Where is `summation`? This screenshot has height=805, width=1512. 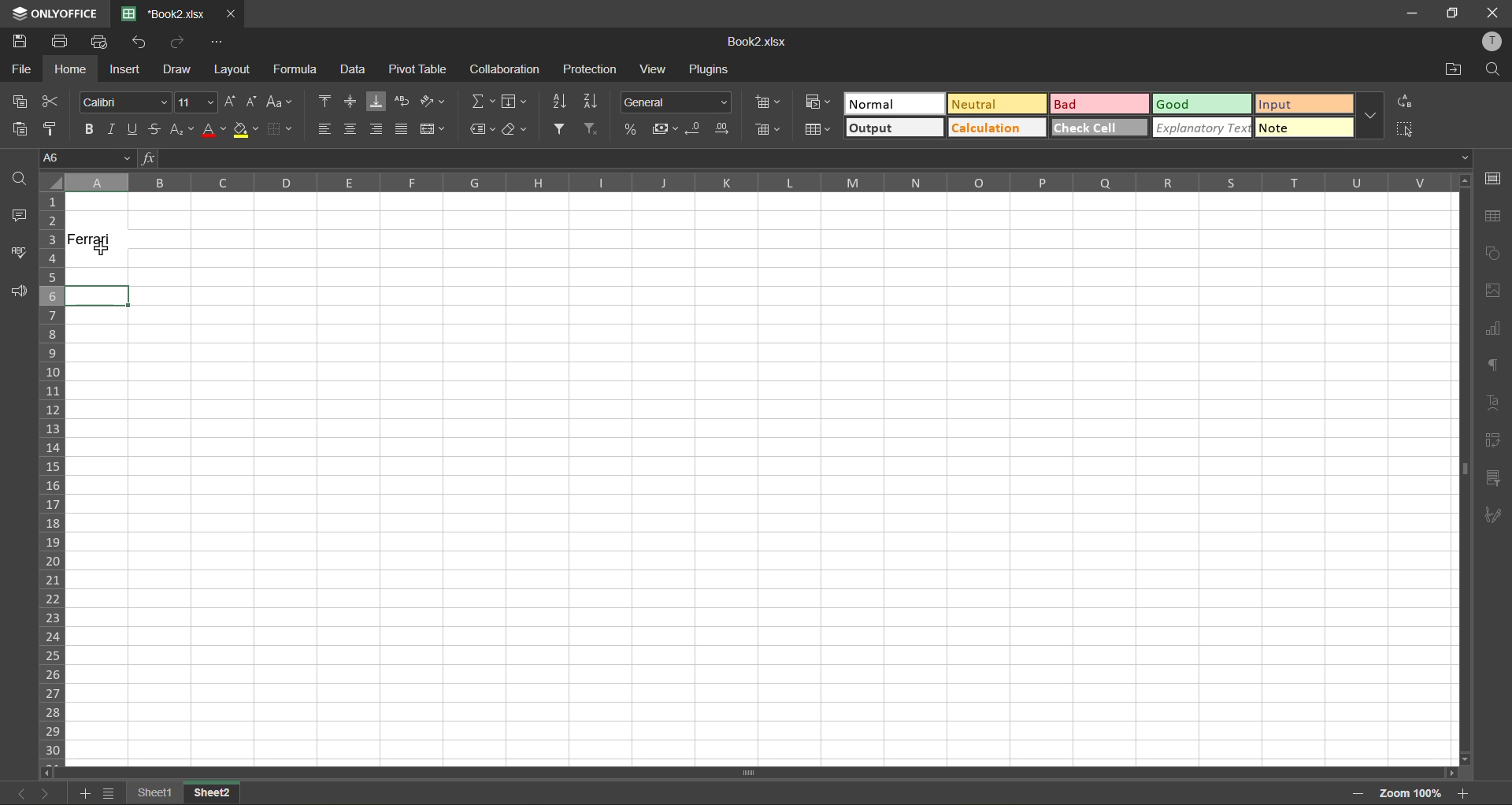
summation is located at coordinates (480, 102).